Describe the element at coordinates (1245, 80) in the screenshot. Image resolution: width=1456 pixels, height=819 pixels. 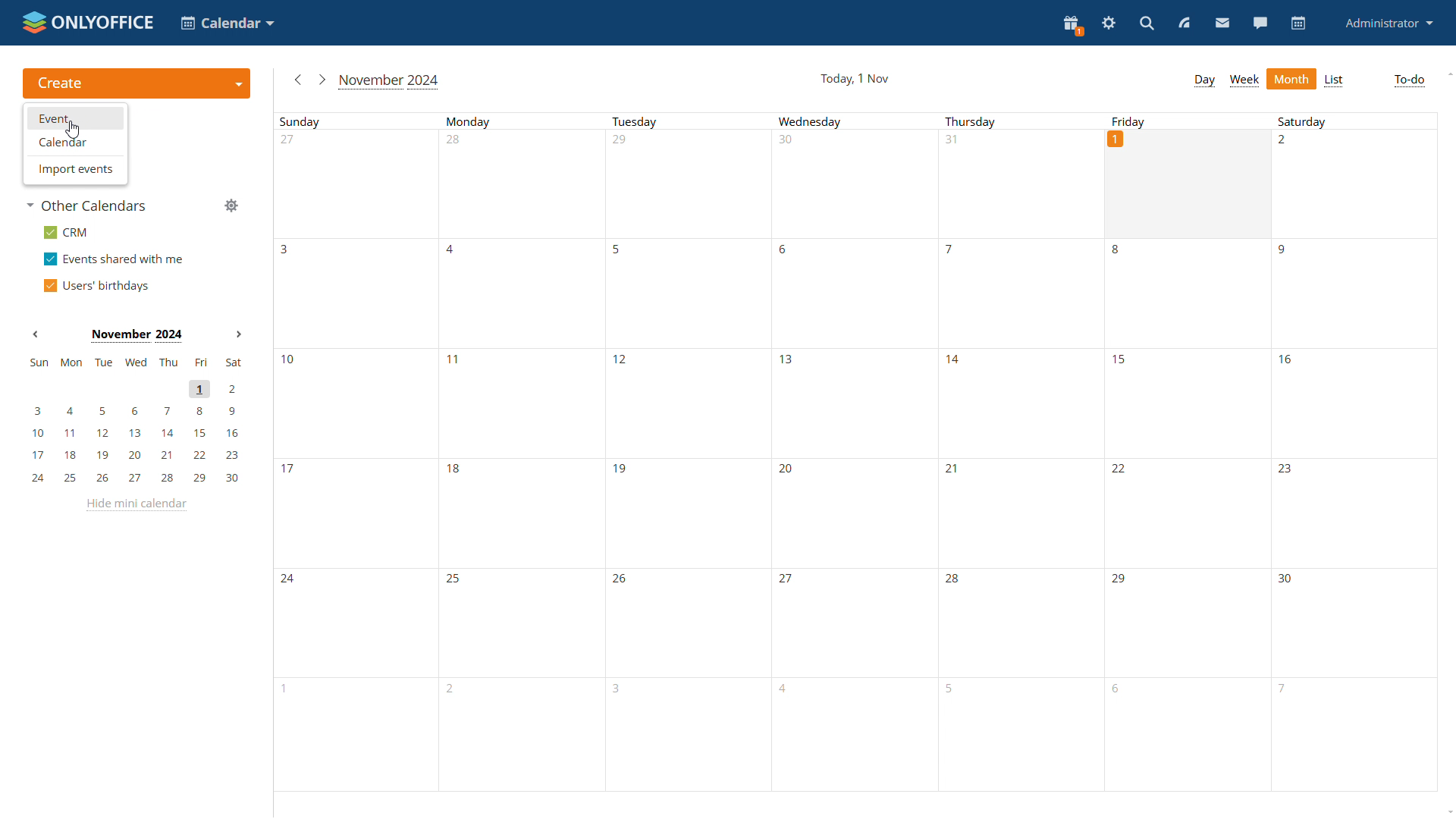
I see `week view` at that location.